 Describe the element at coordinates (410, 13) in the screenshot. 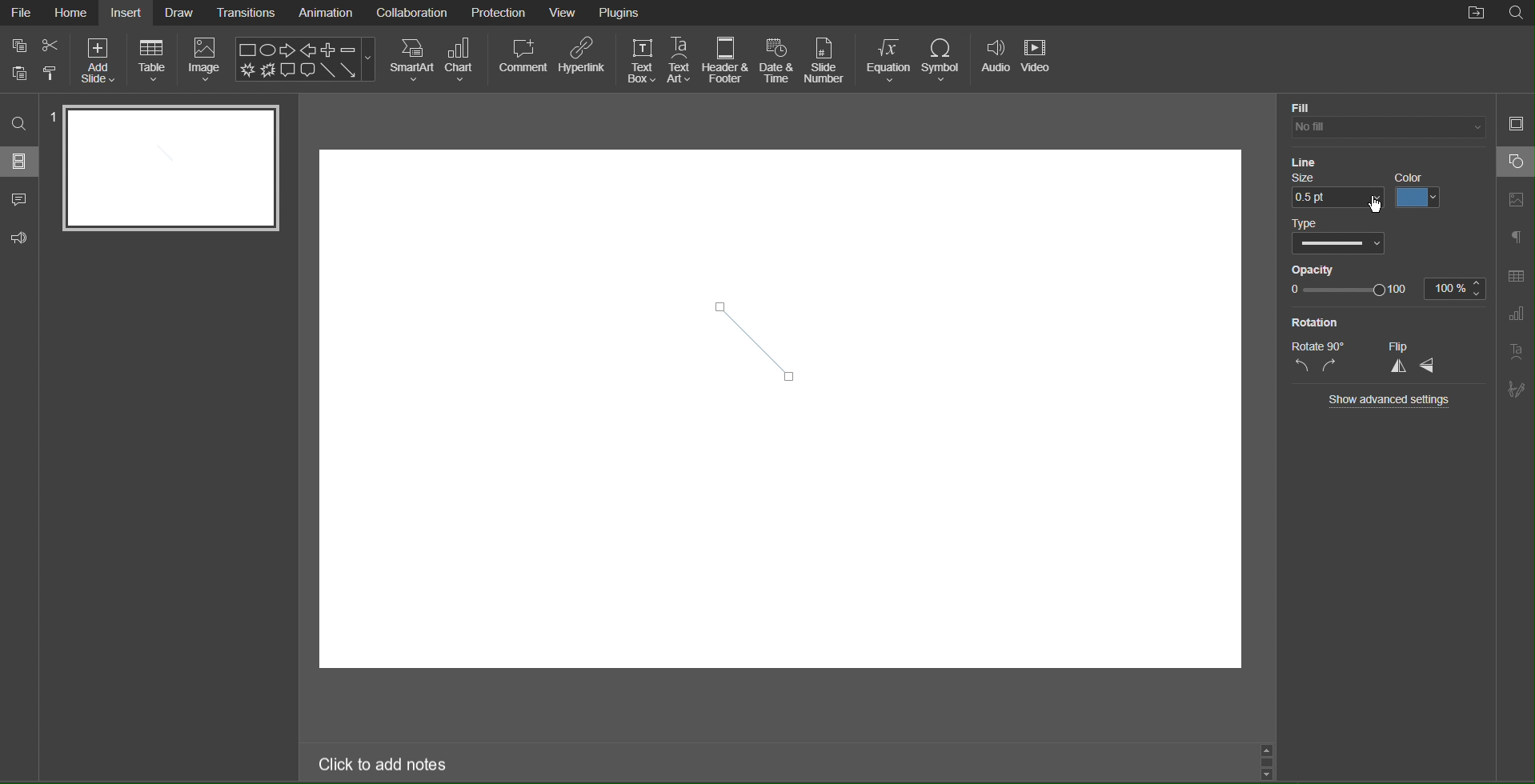

I see `Collaboration` at that location.